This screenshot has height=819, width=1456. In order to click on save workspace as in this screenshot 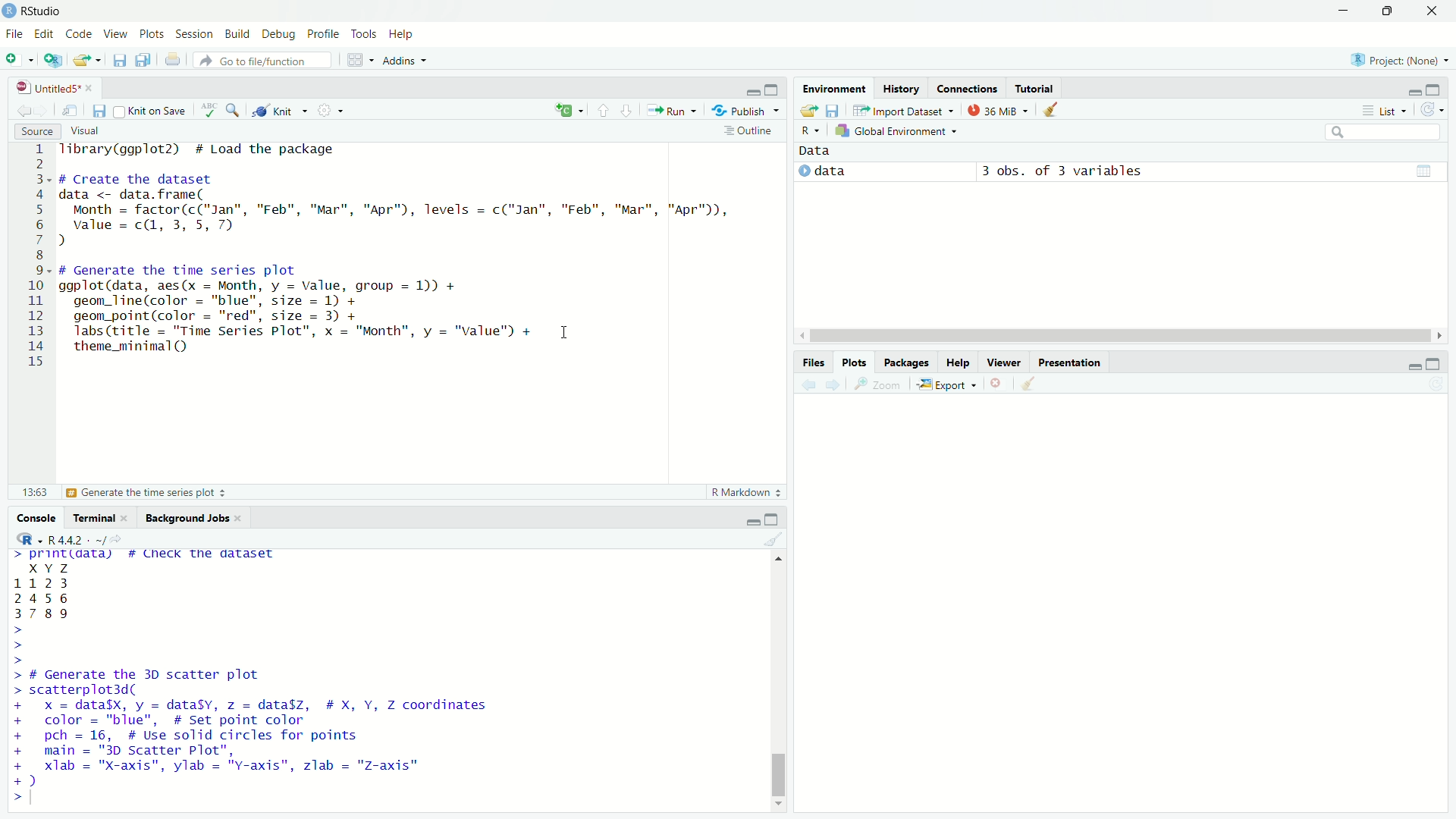, I will do `click(832, 111)`.